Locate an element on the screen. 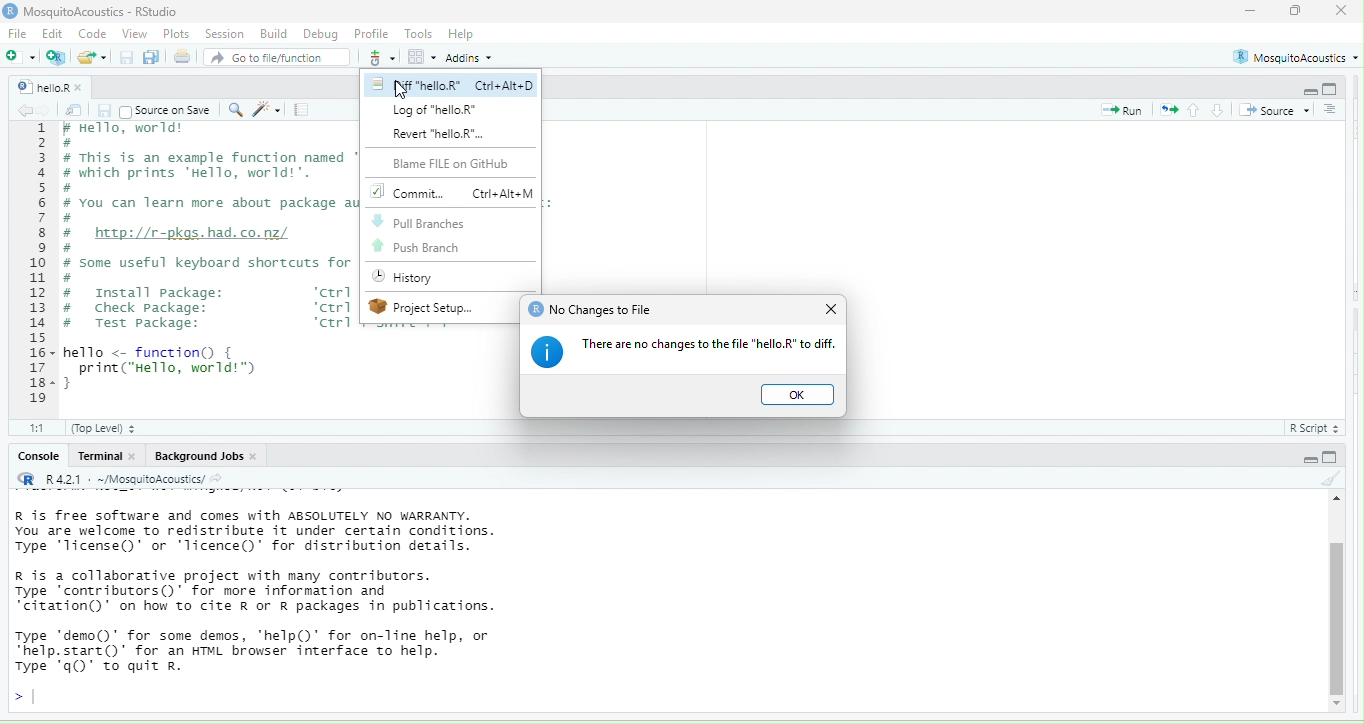 The image size is (1364, 724). vertical scroll bar is located at coordinates (1337, 603).